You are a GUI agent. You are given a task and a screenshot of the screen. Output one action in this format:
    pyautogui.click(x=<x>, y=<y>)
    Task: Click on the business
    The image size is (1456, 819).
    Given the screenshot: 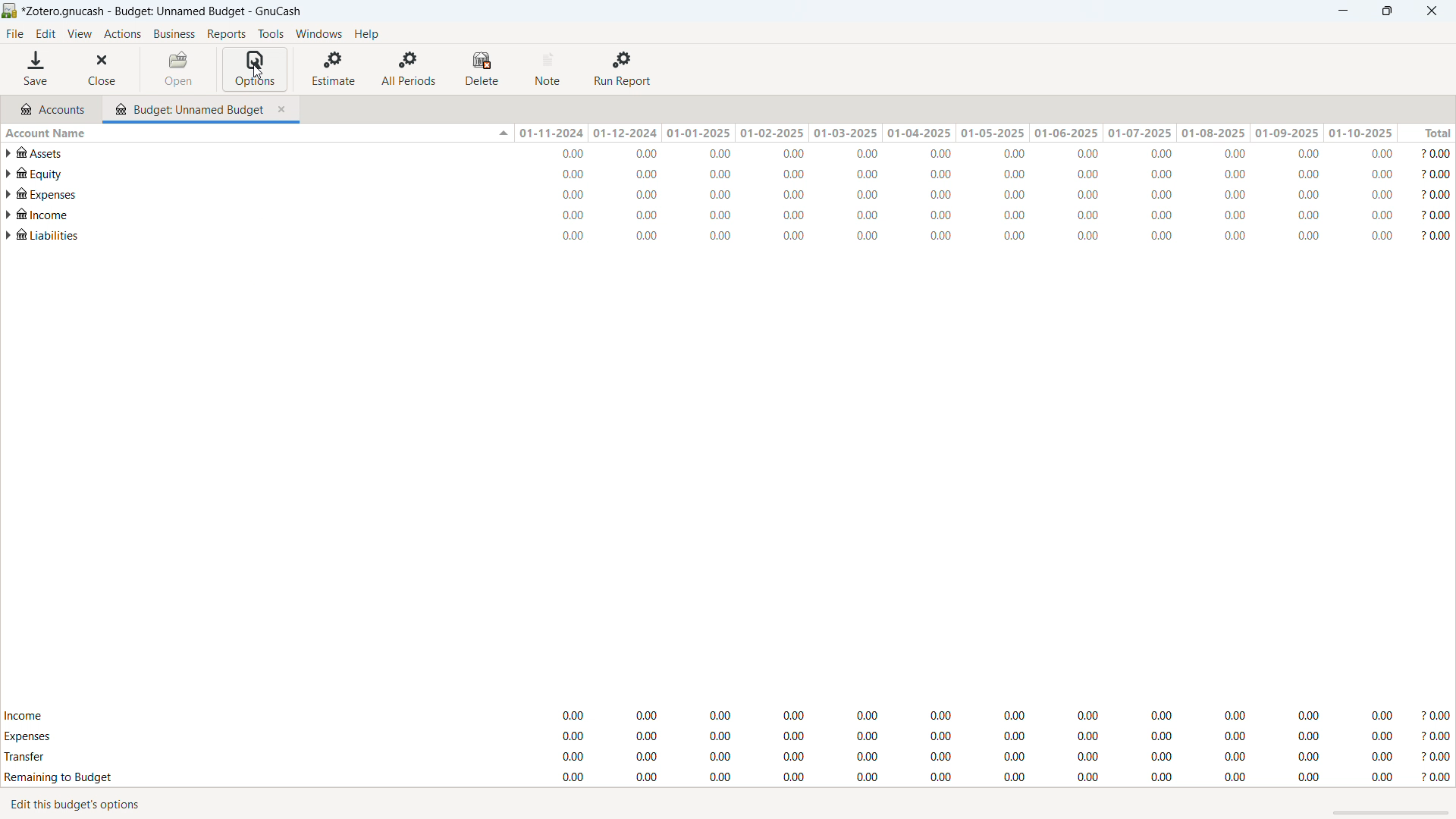 What is the action you would take?
    pyautogui.click(x=174, y=34)
    